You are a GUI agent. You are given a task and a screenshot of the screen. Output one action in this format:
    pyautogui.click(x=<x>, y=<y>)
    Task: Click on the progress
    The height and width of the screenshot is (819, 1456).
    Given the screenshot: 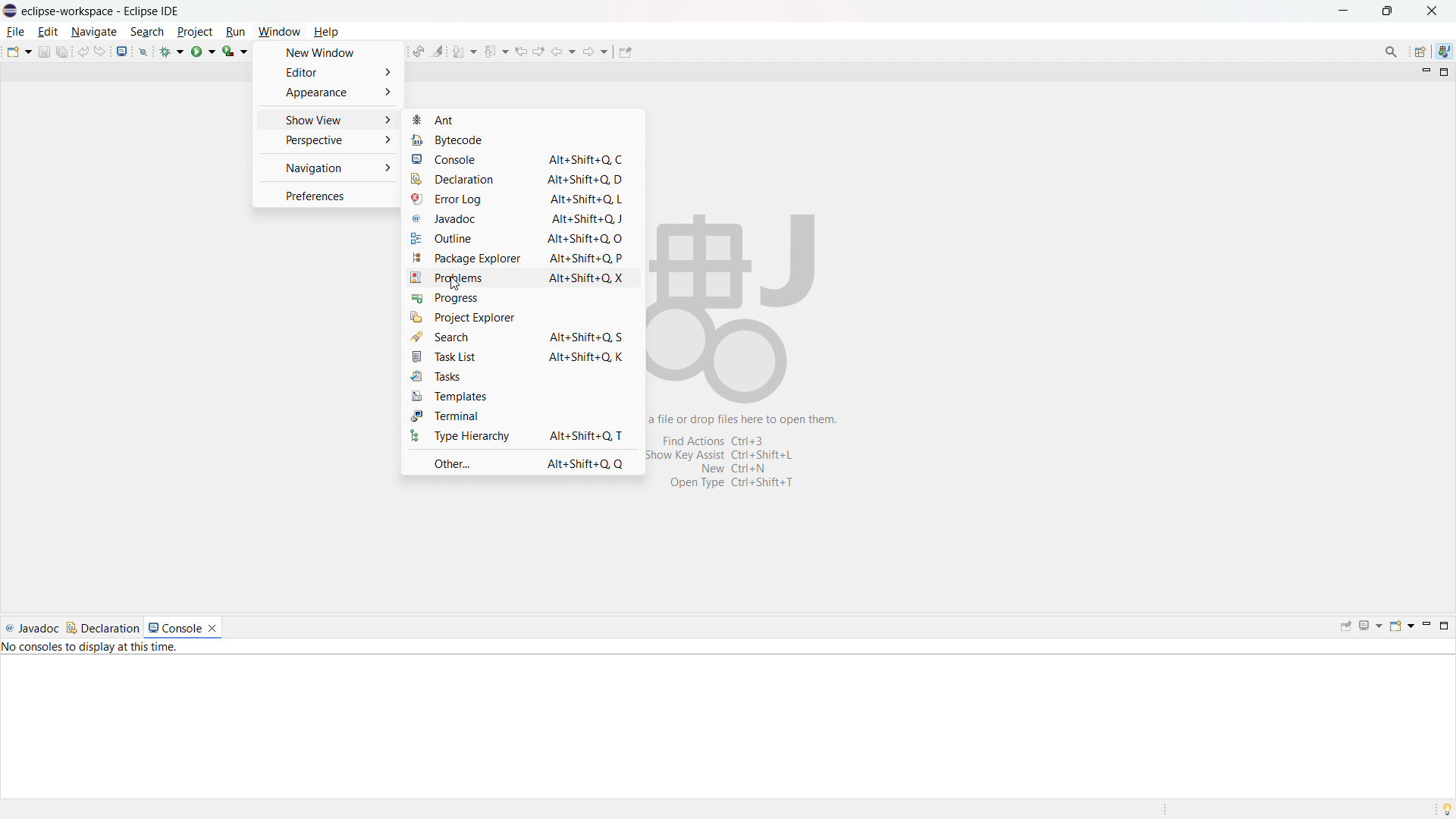 What is the action you would take?
    pyautogui.click(x=522, y=298)
    